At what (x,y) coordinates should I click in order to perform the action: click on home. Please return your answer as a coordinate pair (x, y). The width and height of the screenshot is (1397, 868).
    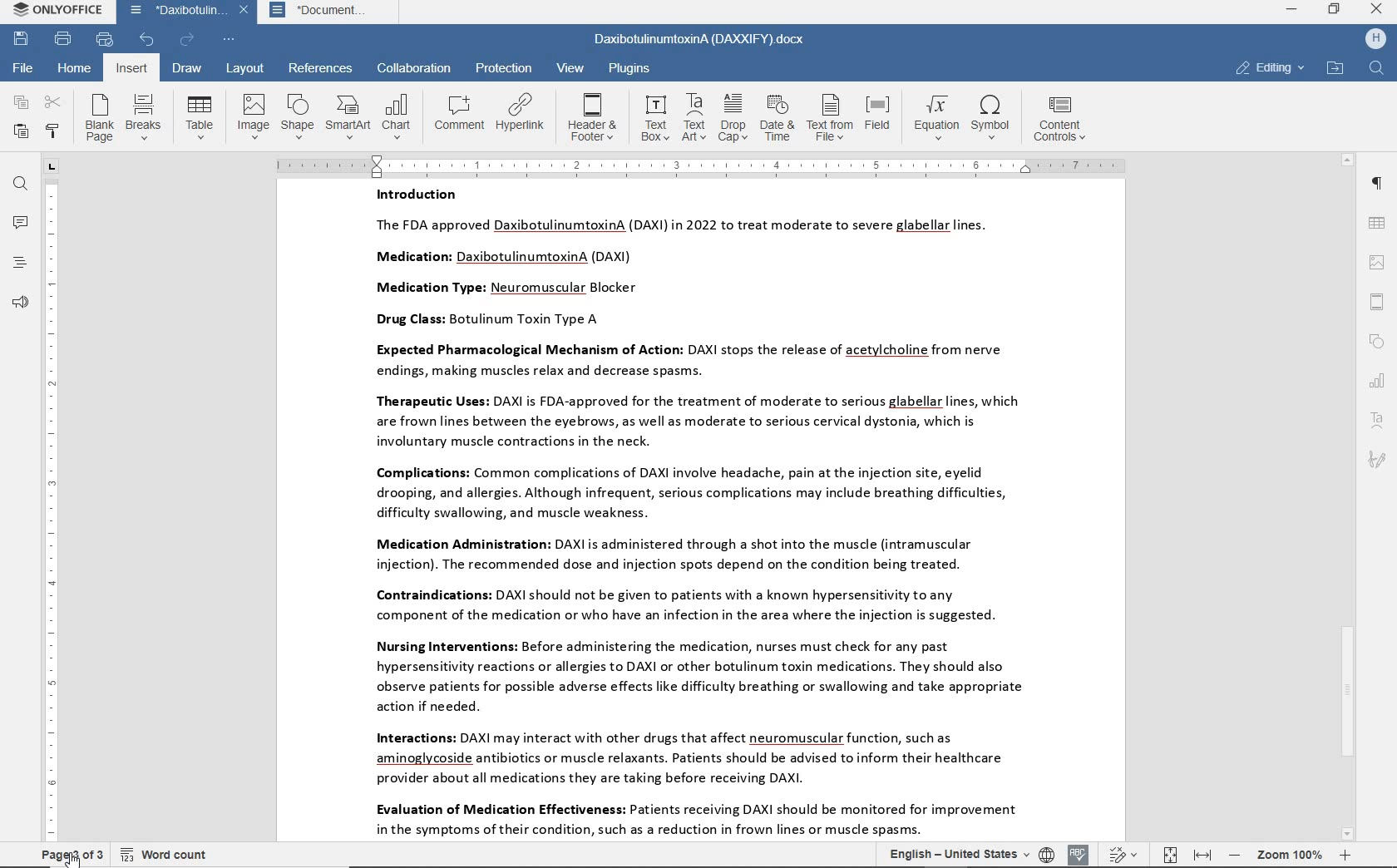
    Looking at the image, I should click on (76, 70).